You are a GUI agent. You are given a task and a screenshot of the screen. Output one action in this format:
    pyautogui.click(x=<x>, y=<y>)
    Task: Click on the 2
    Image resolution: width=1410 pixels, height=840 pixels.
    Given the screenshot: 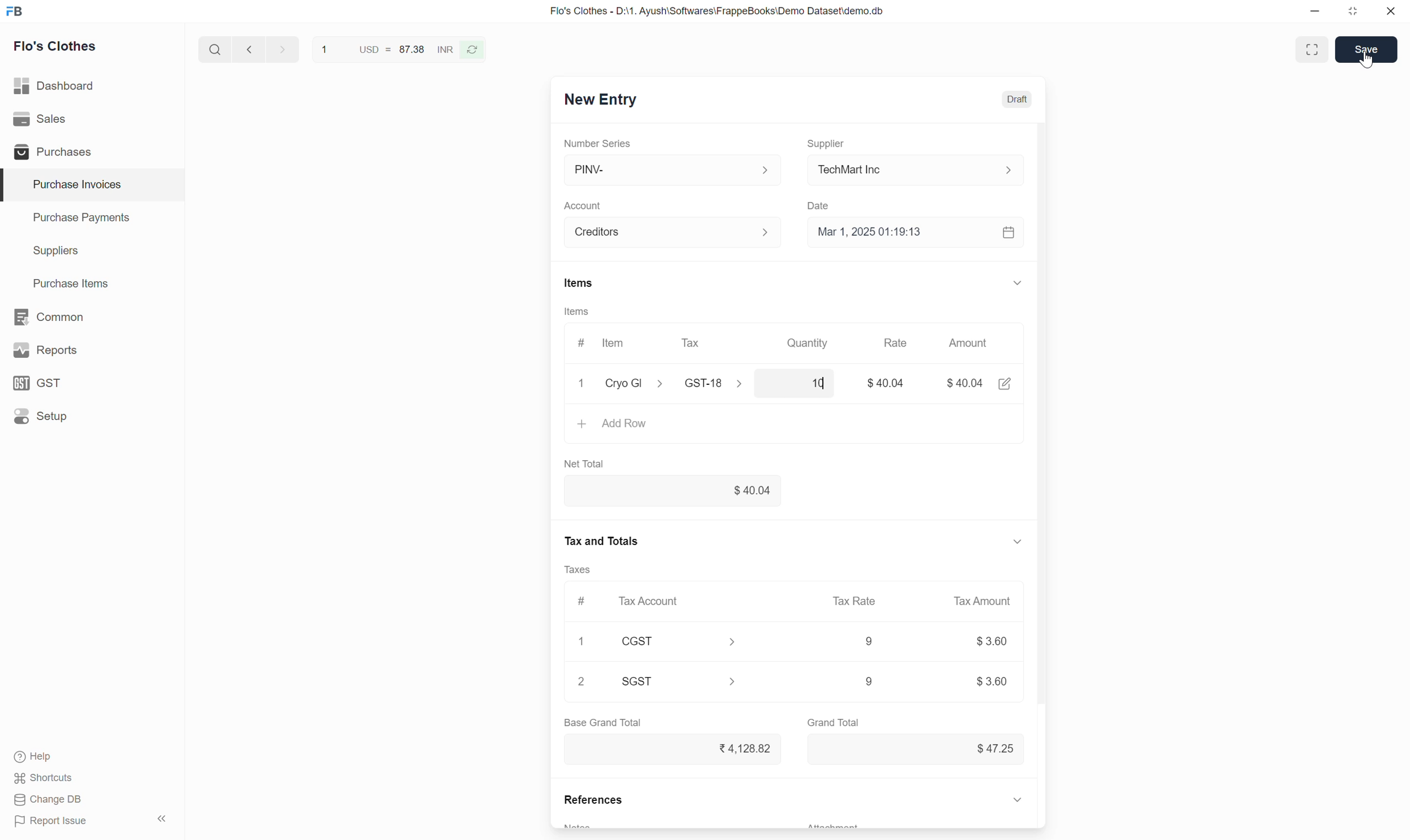 What is the action you would take?
    pyautogui.click(x=582, y=682)
    